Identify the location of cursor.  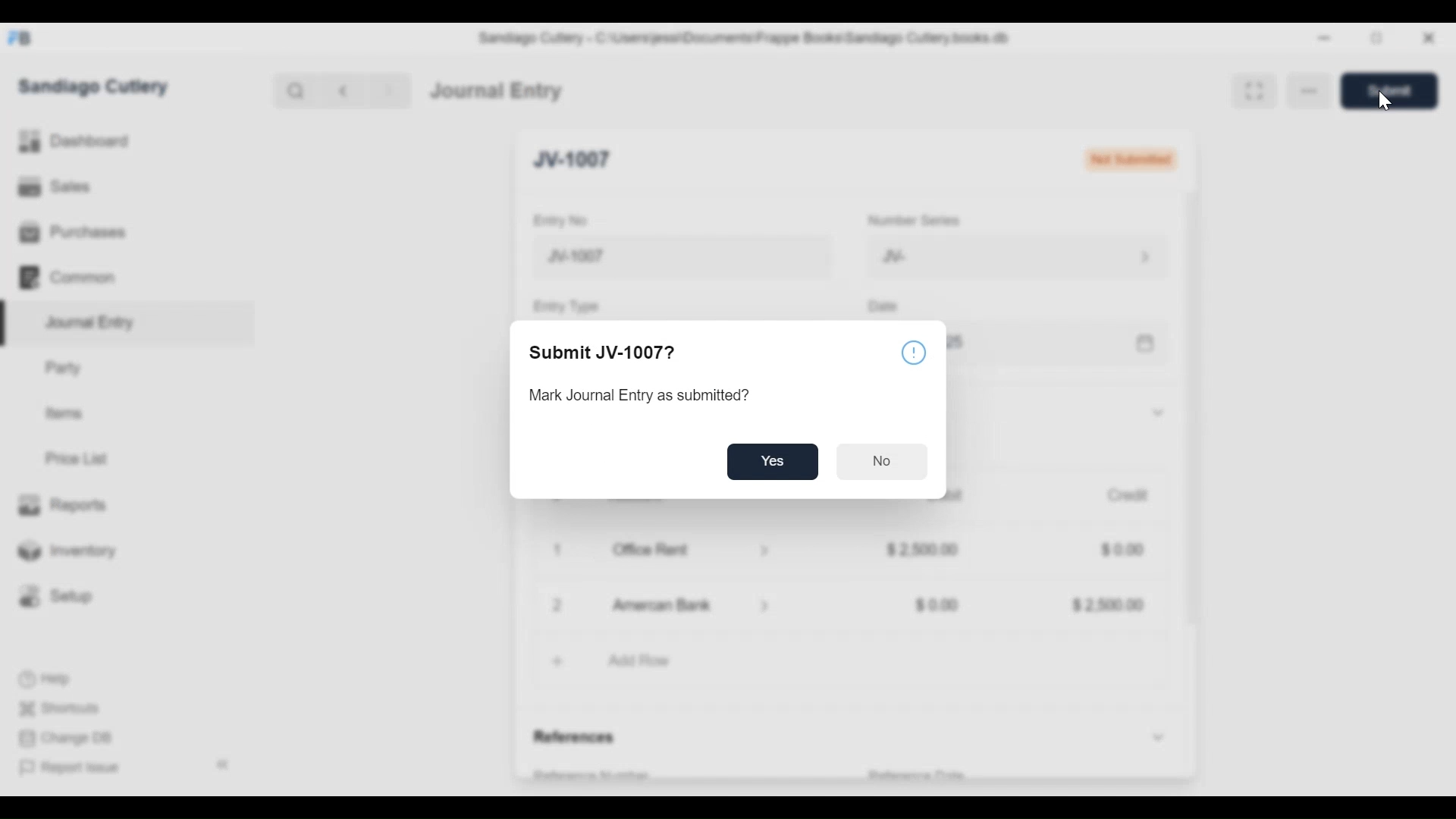
(1385, 101).